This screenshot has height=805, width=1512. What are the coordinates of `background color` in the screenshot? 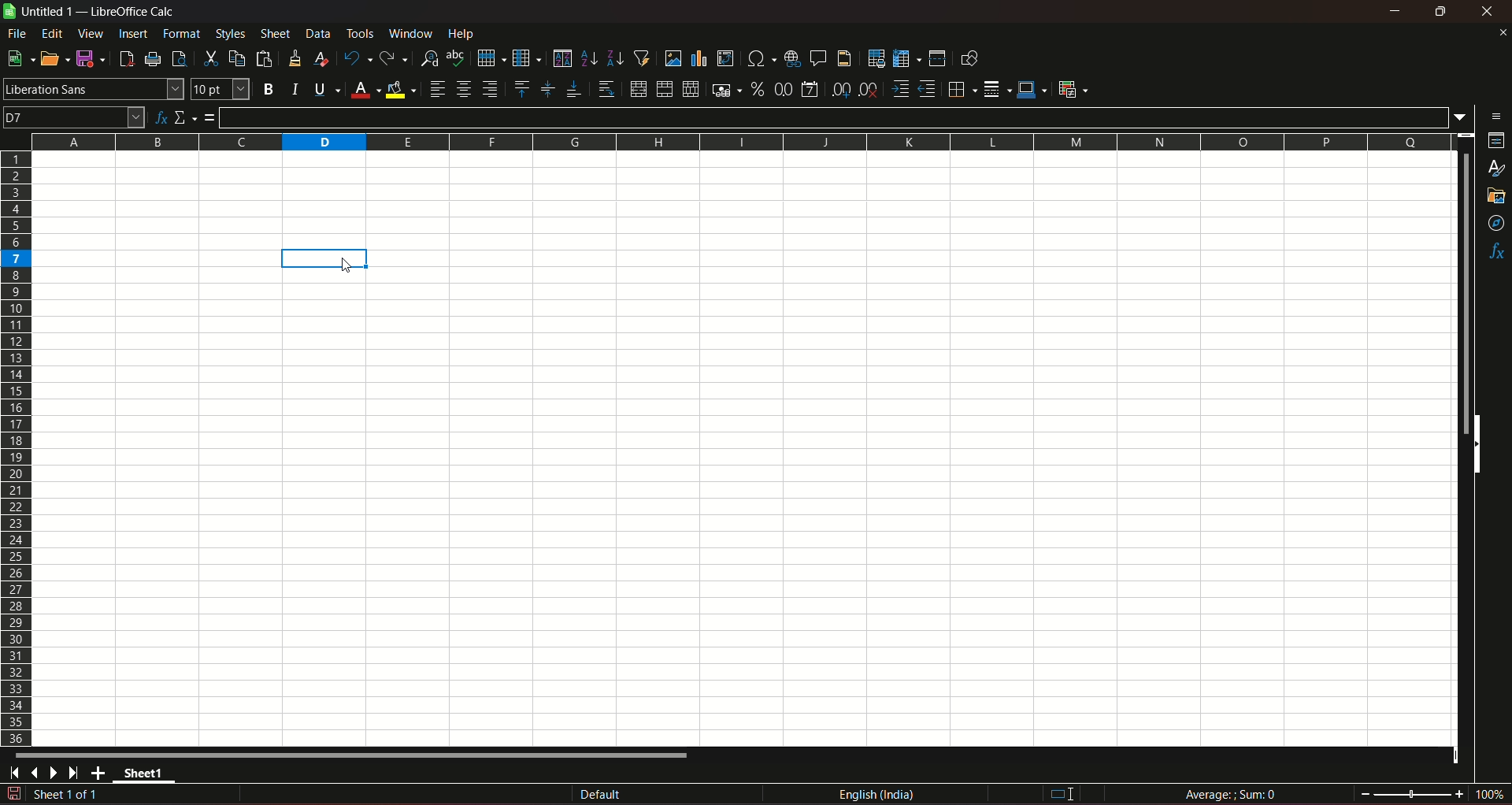 It's located at (402, 89).